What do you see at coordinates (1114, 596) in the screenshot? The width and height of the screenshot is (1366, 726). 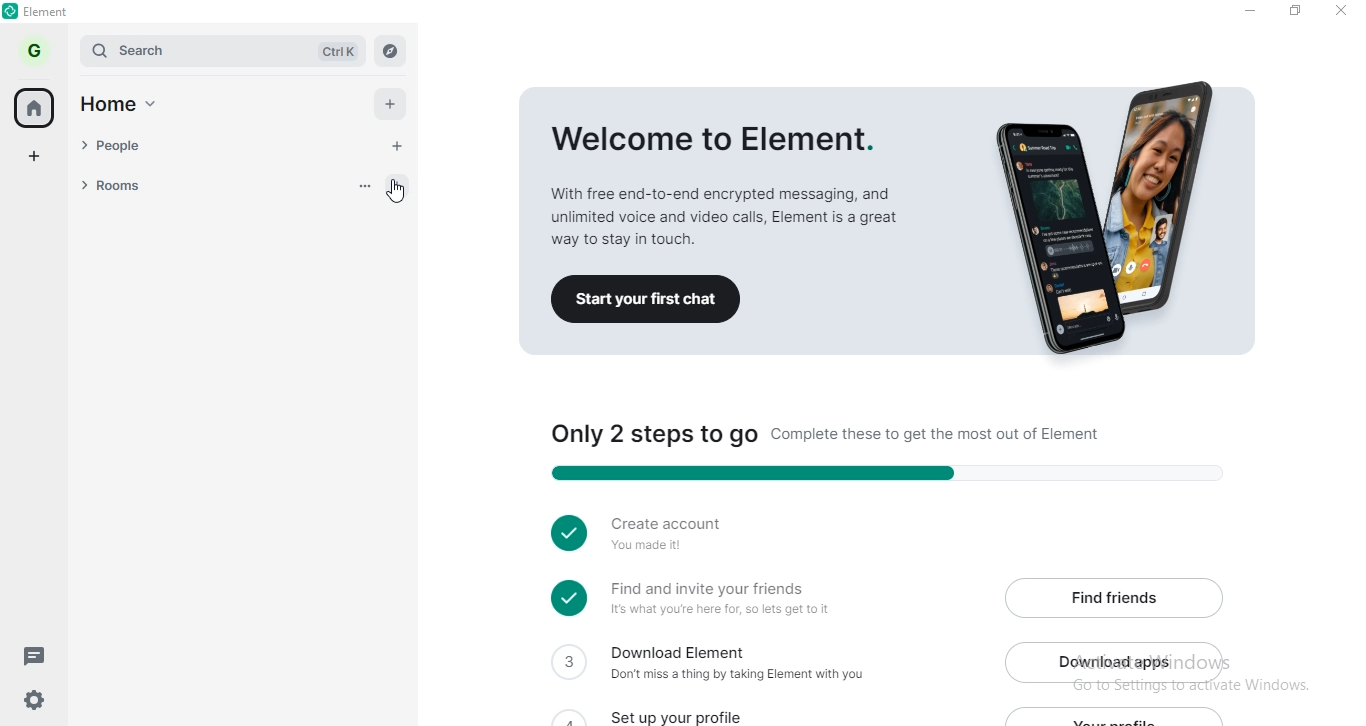 I see `find friends` at bounding box center [1114, 596].